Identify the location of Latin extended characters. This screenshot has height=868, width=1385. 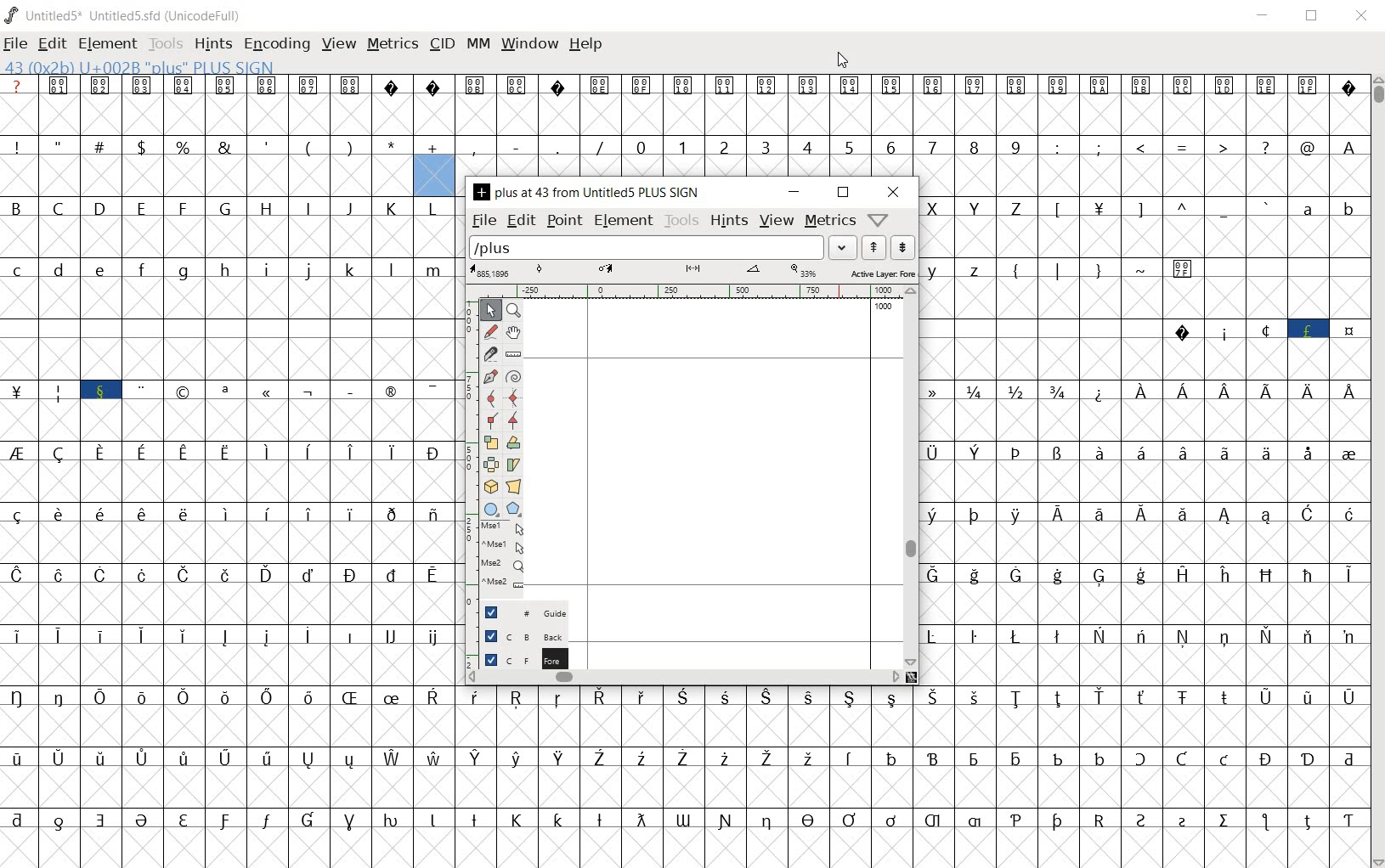
(1206, 472).